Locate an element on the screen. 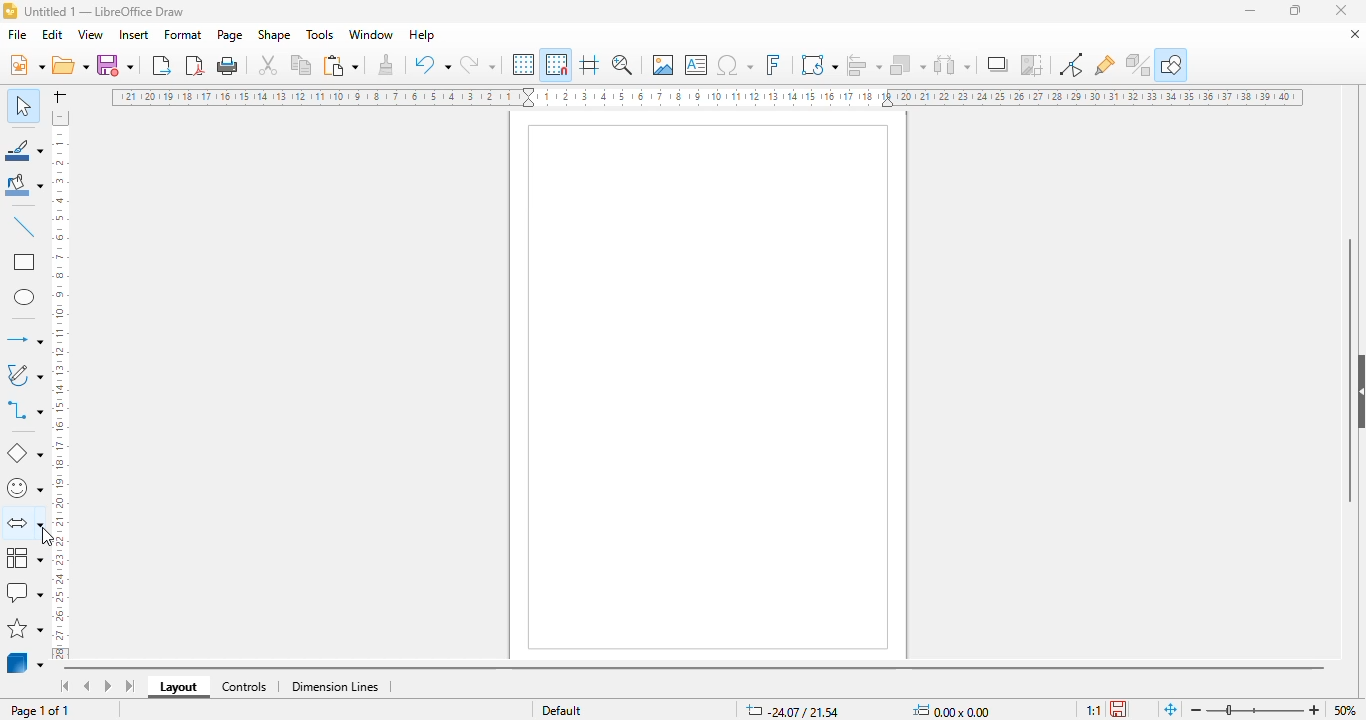  toggle point edit mode is located at coordinates (1071, 64).